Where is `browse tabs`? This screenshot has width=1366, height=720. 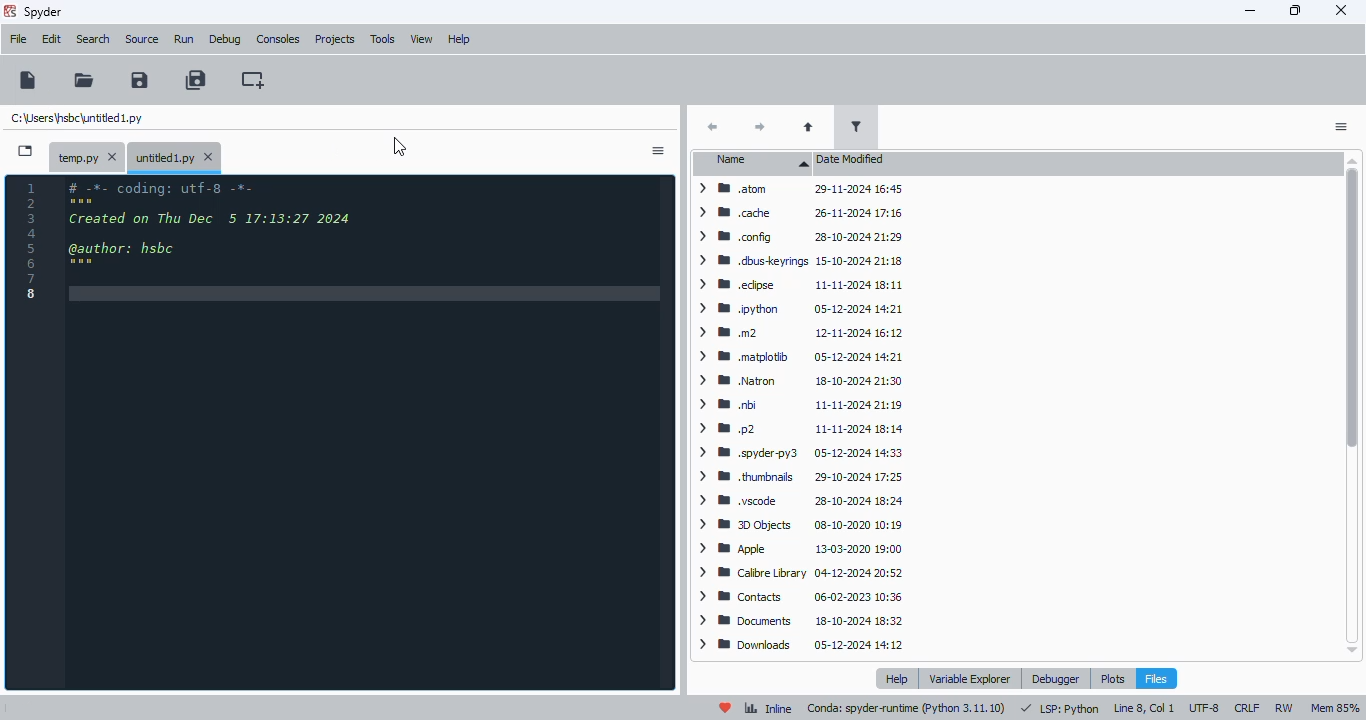 browse tabs is located at coordinates (26, 151).